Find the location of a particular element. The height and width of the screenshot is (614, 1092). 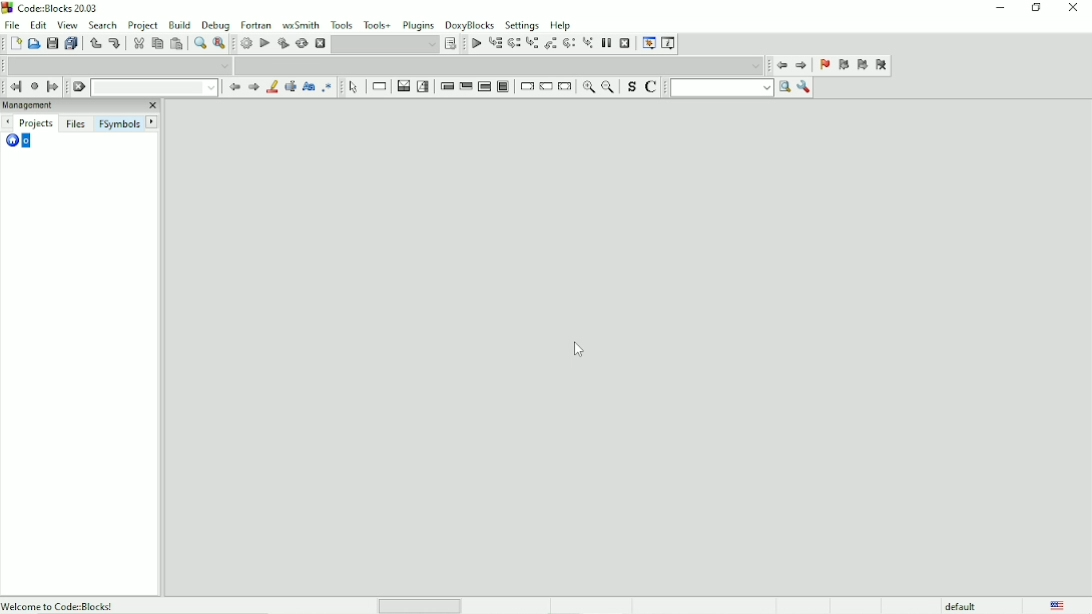

Toggle source is located at coordinates (631, 88).